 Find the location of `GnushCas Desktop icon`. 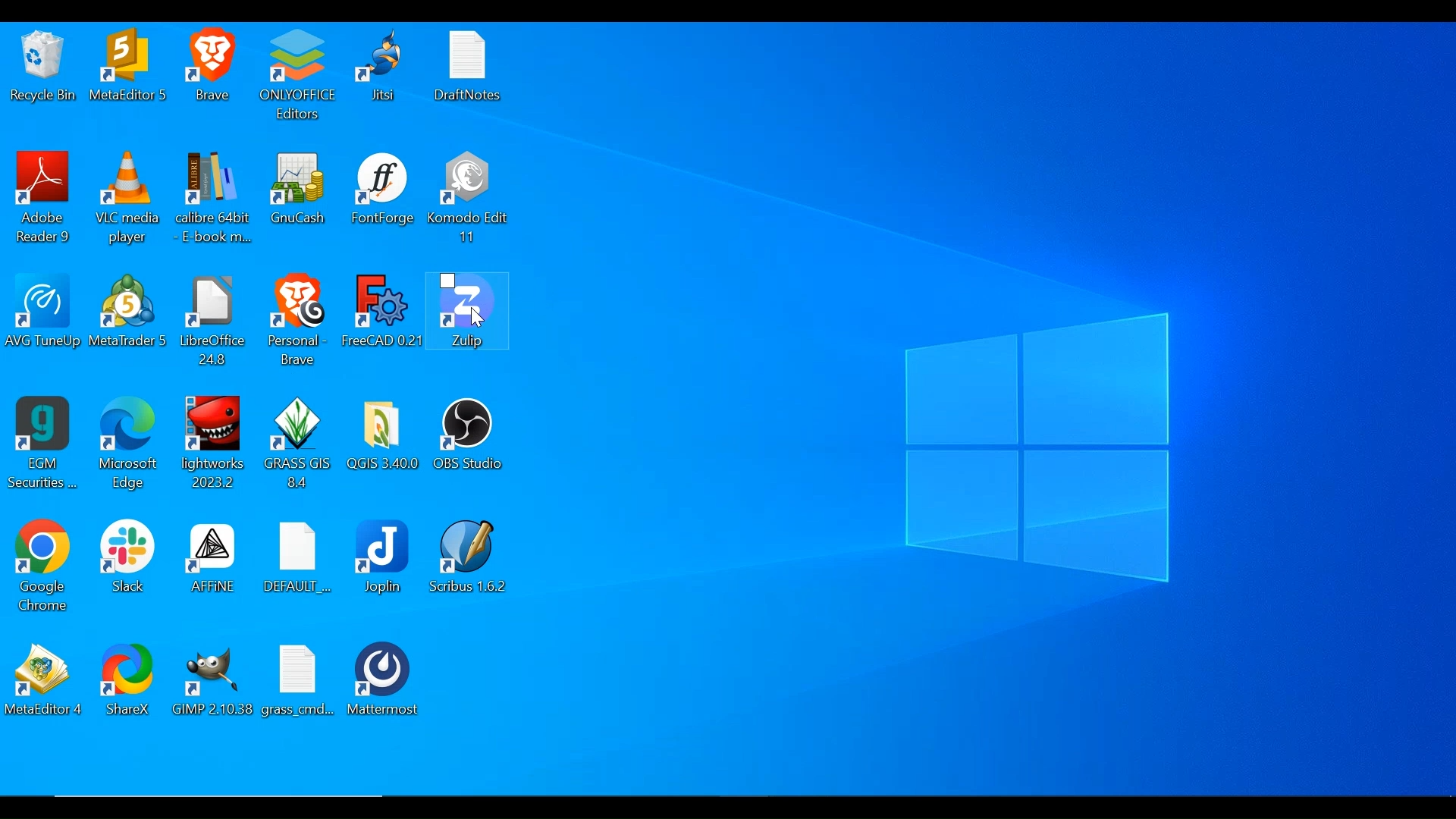

GnushCas Desktop icon is located at coordinates (300, 188).